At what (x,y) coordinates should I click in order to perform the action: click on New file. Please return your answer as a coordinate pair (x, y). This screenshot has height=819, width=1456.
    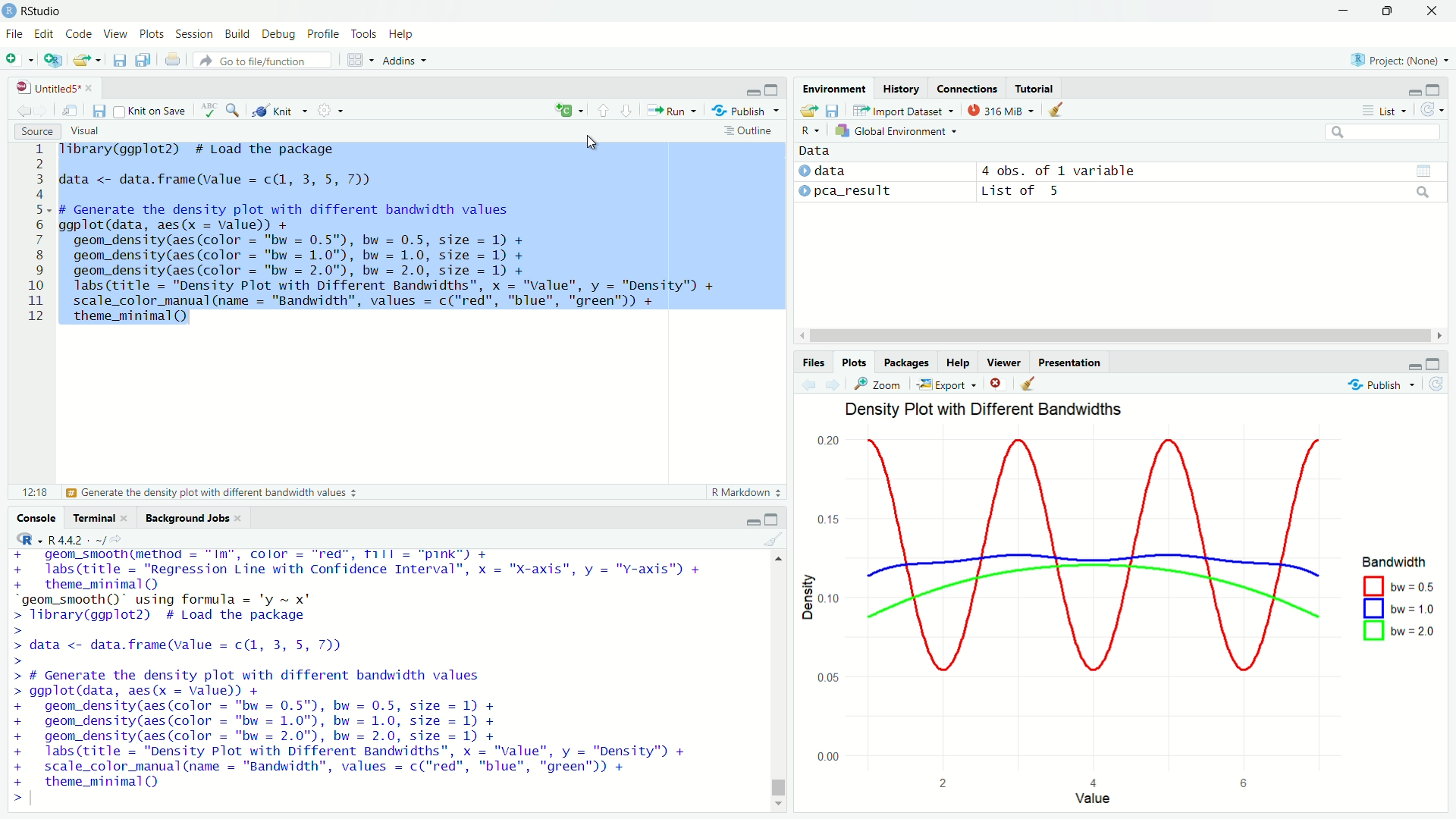
    Looking at the image, I should click on (20, 59).